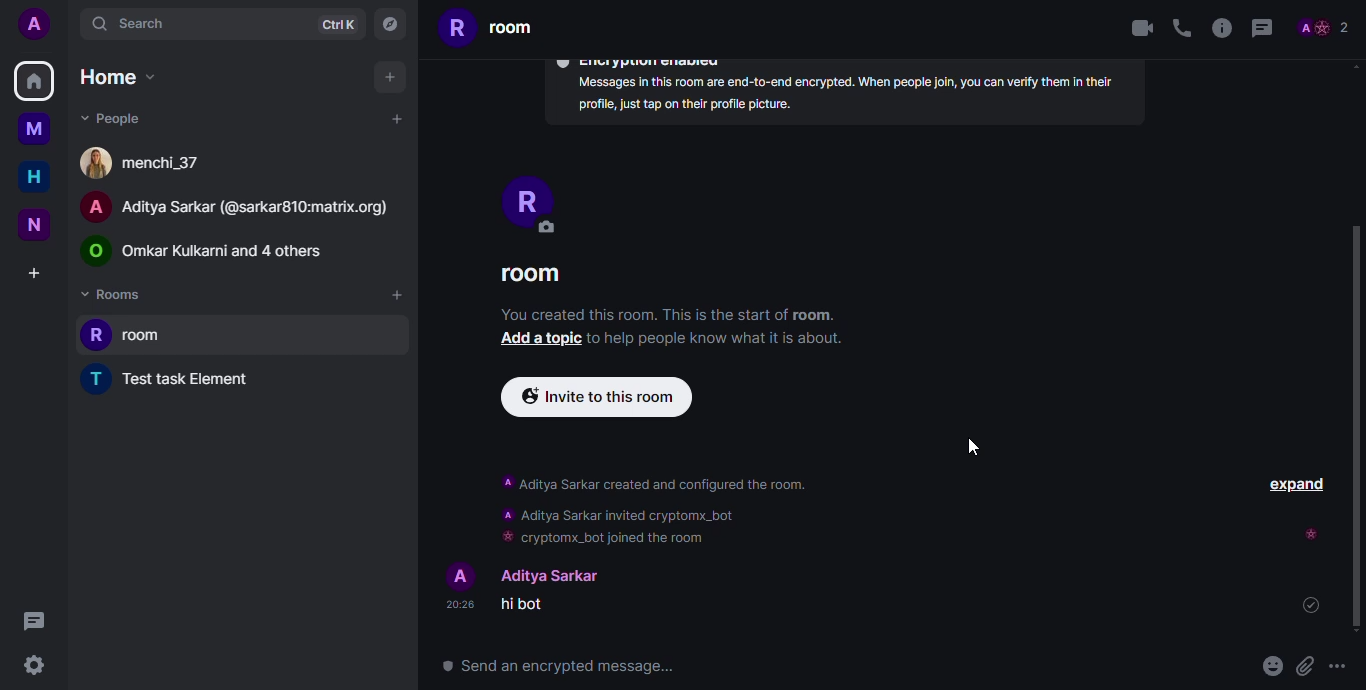 The height and width of the screenshot is (690, 1366). Describe the element at coordinates (1180, 29) in the screenshot. I see `voice call` at that location.